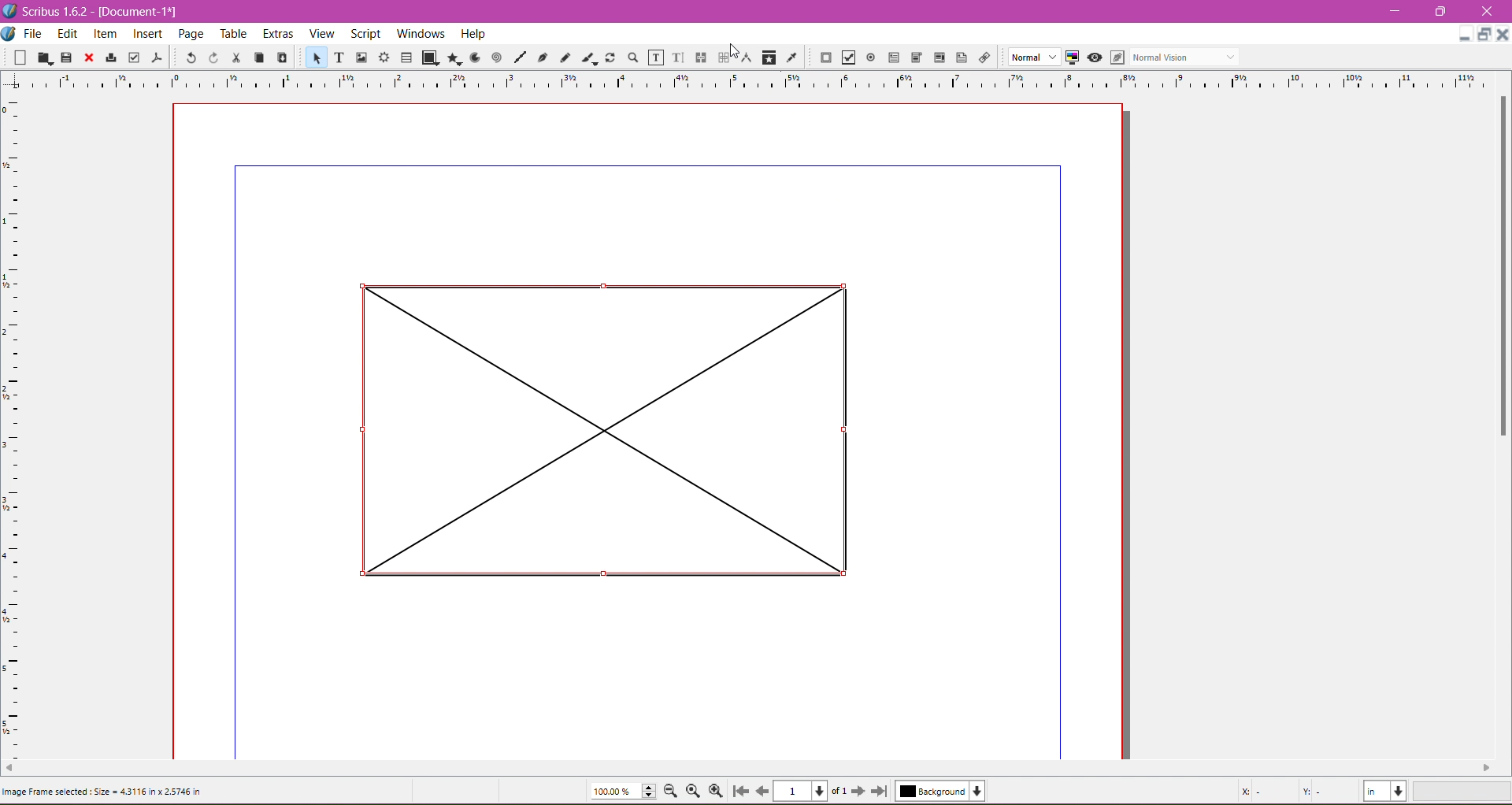  What do you see at coordinates (769, 57) in the screenshot?
I see `Copy Item Properties` at bounding box center [769, 57].